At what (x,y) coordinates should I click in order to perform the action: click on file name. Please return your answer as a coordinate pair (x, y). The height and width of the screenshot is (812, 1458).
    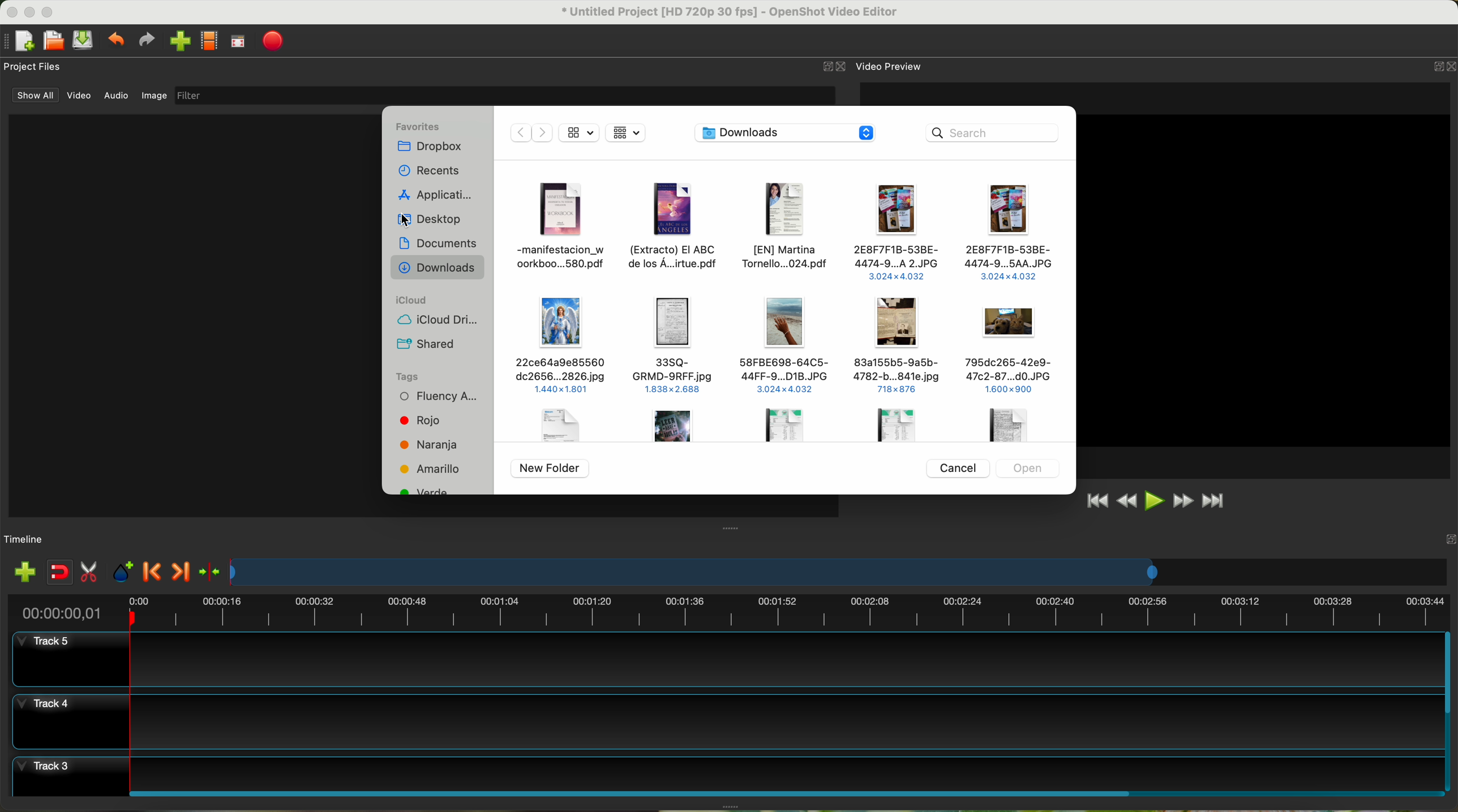
    Looking at the image, I should click on (731, 12).